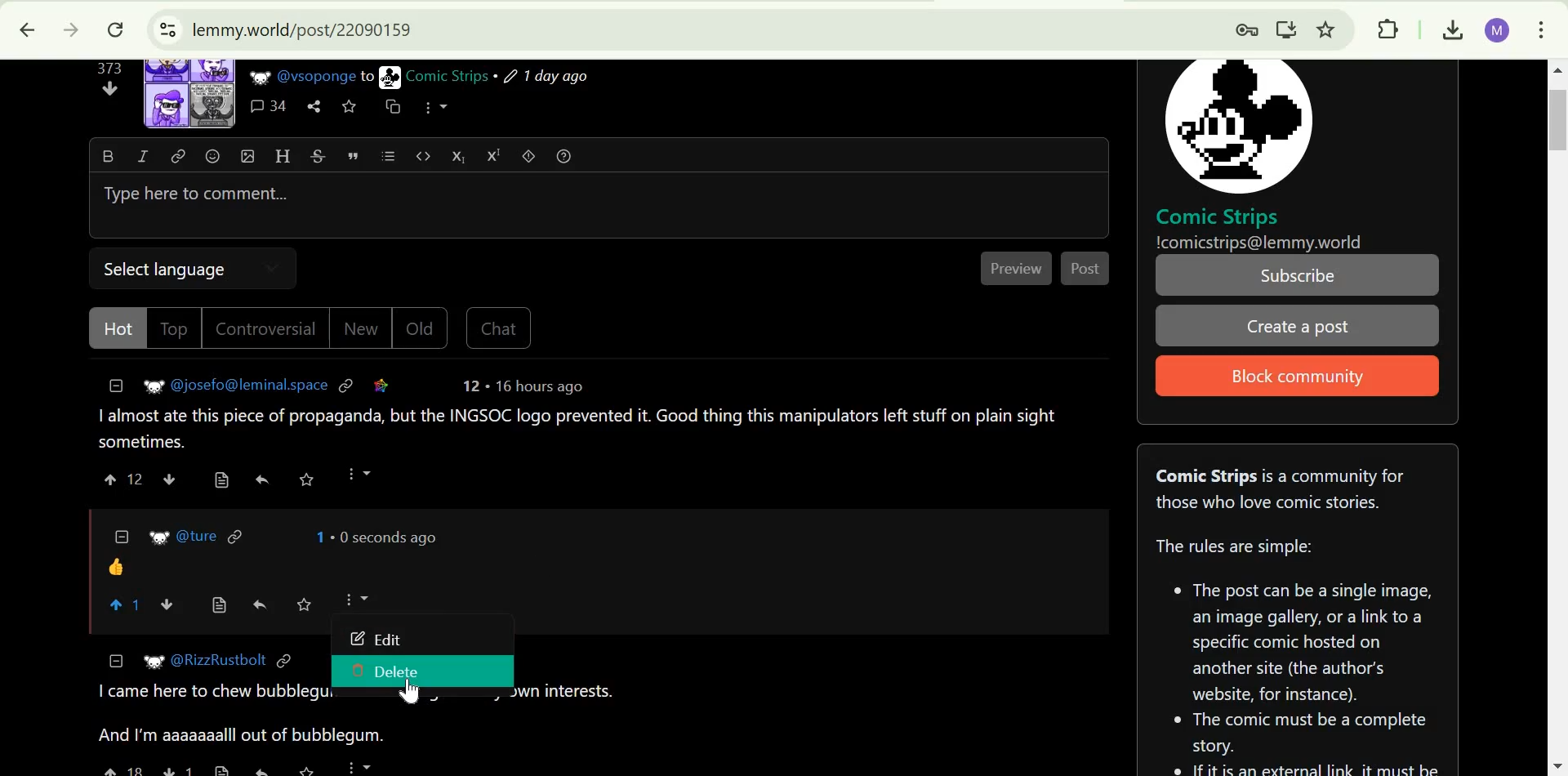 This screenshot has height=776, width=1568. I want to click on cross-post, so click(391, 105).